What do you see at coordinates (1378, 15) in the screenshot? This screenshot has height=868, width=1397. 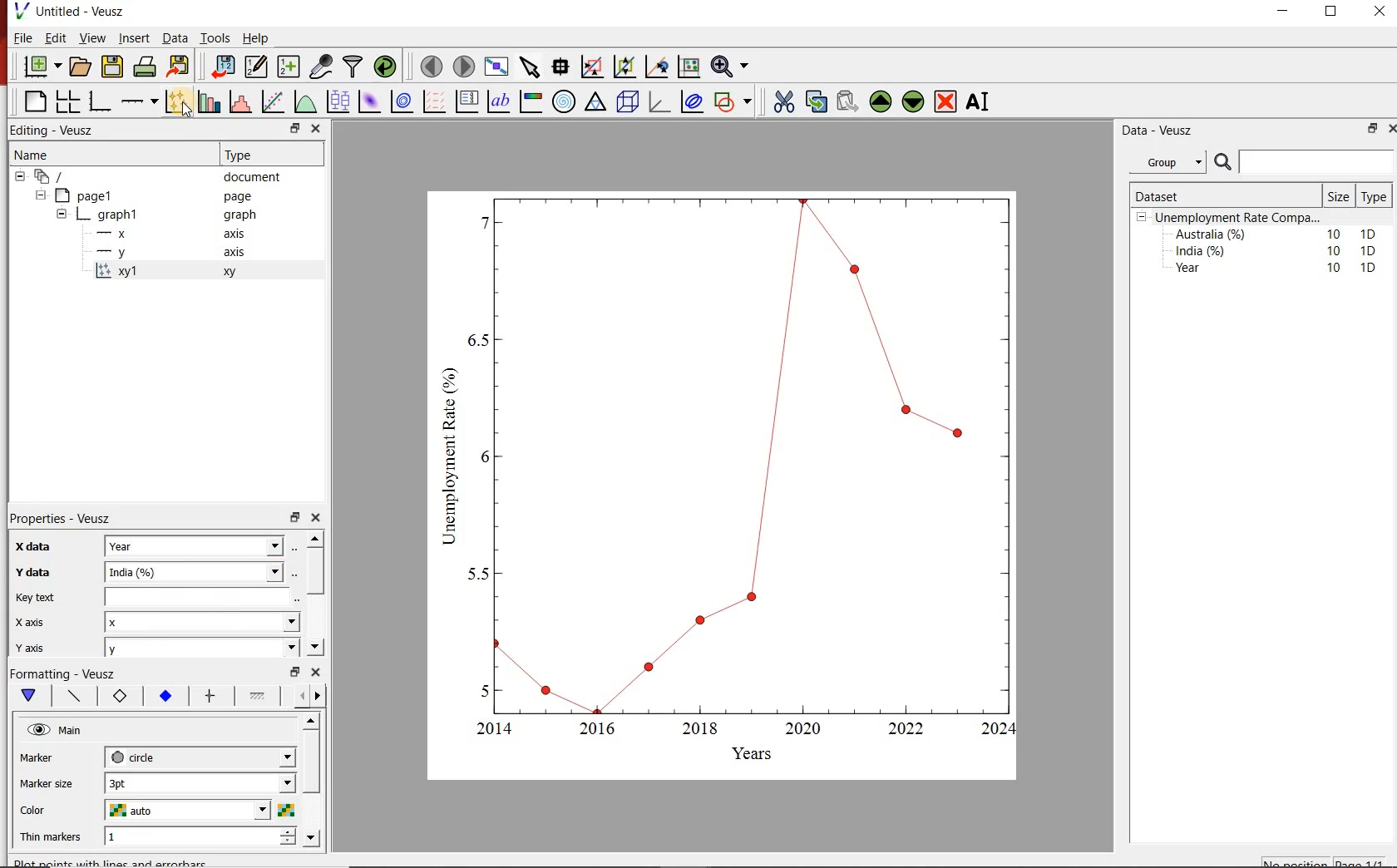 I see `close` at bounding box center [1378, 15].